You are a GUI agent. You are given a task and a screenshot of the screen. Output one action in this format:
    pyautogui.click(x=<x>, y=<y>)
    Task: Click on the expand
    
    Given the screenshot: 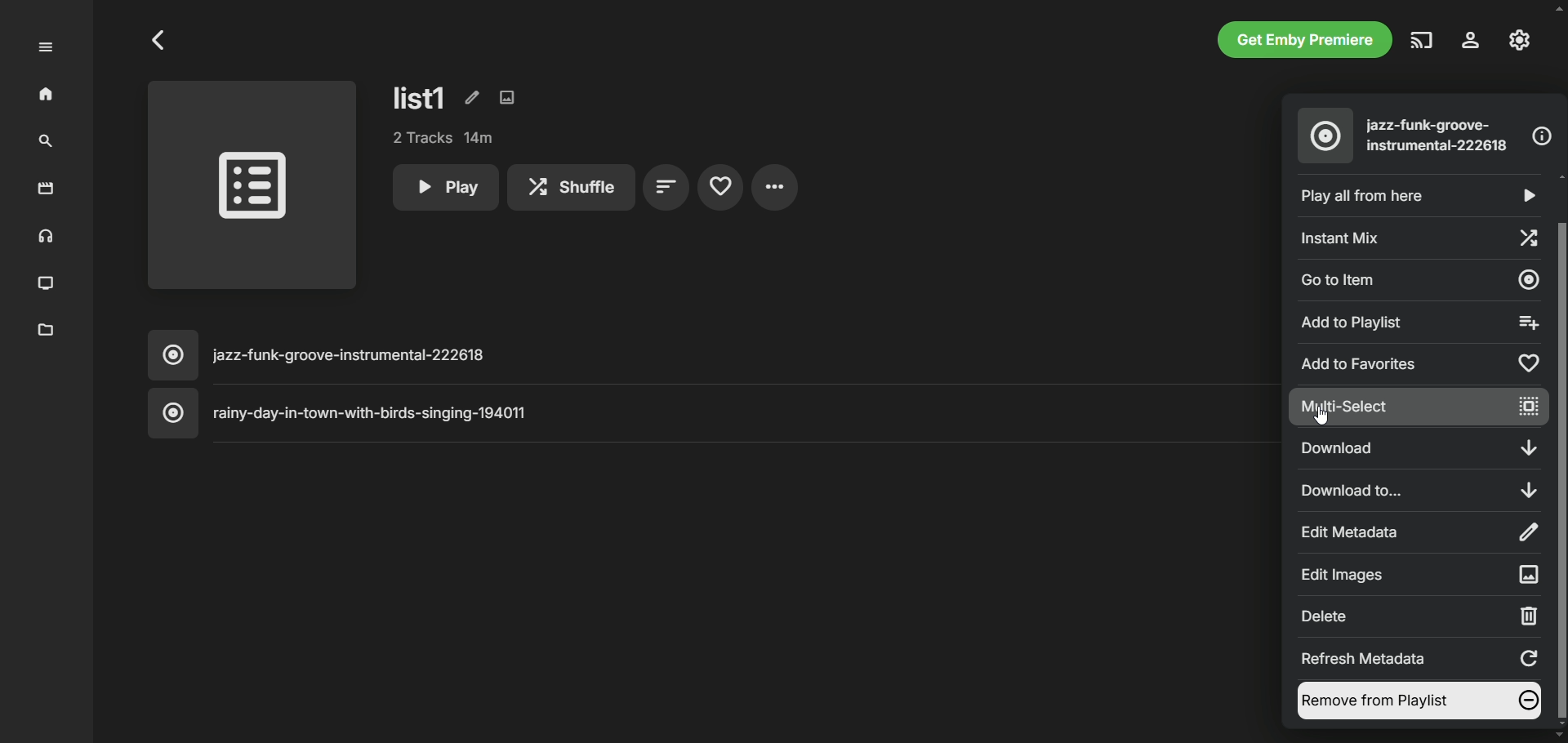 What is the action you would take?
    pyautogui.click(x=46, y=47)
    